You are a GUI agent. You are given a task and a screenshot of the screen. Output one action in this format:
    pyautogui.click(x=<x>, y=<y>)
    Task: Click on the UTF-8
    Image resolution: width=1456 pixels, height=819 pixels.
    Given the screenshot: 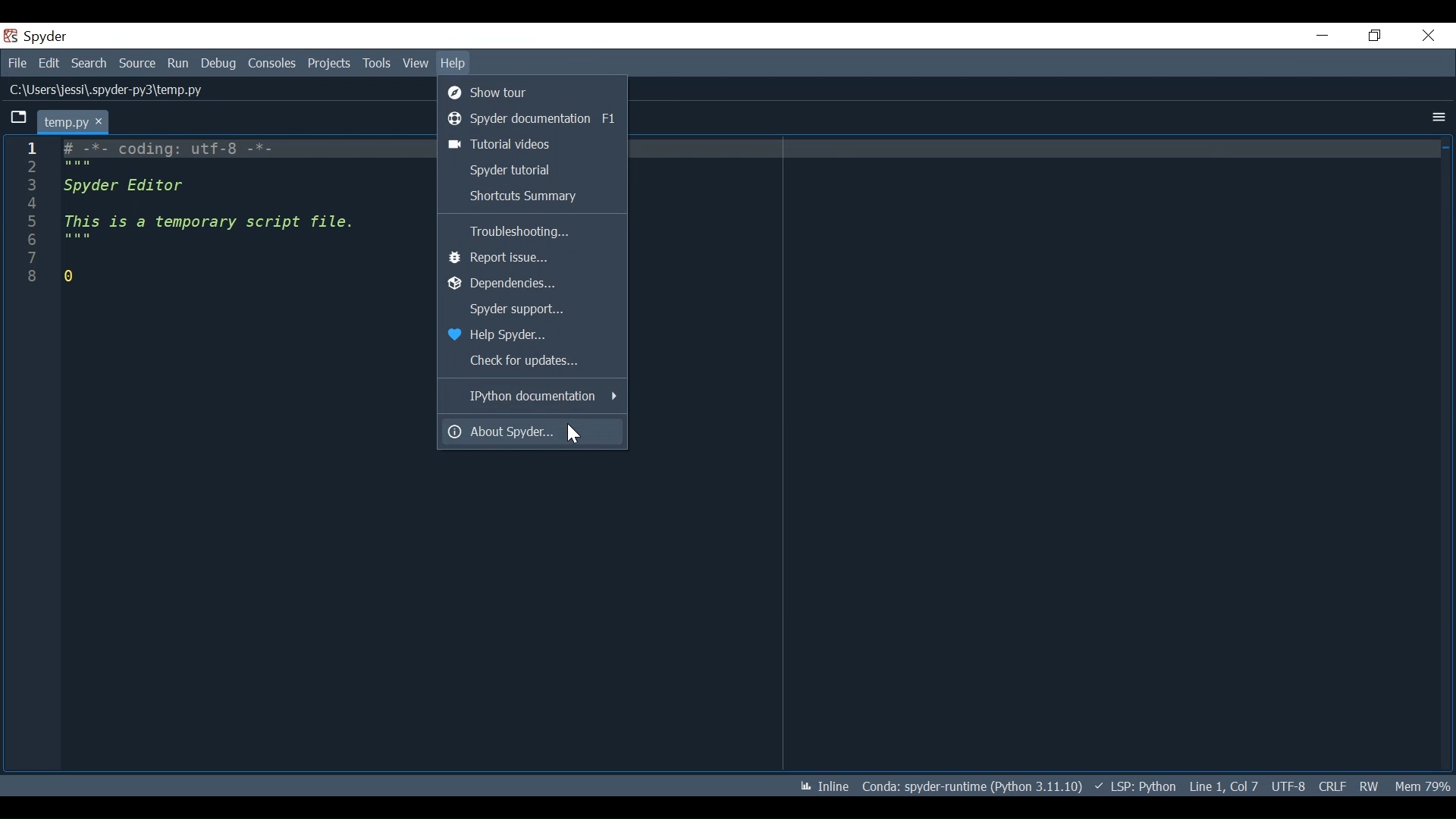 What is the action you would take?
    pyautogui.click(x=1291, y=785)
    